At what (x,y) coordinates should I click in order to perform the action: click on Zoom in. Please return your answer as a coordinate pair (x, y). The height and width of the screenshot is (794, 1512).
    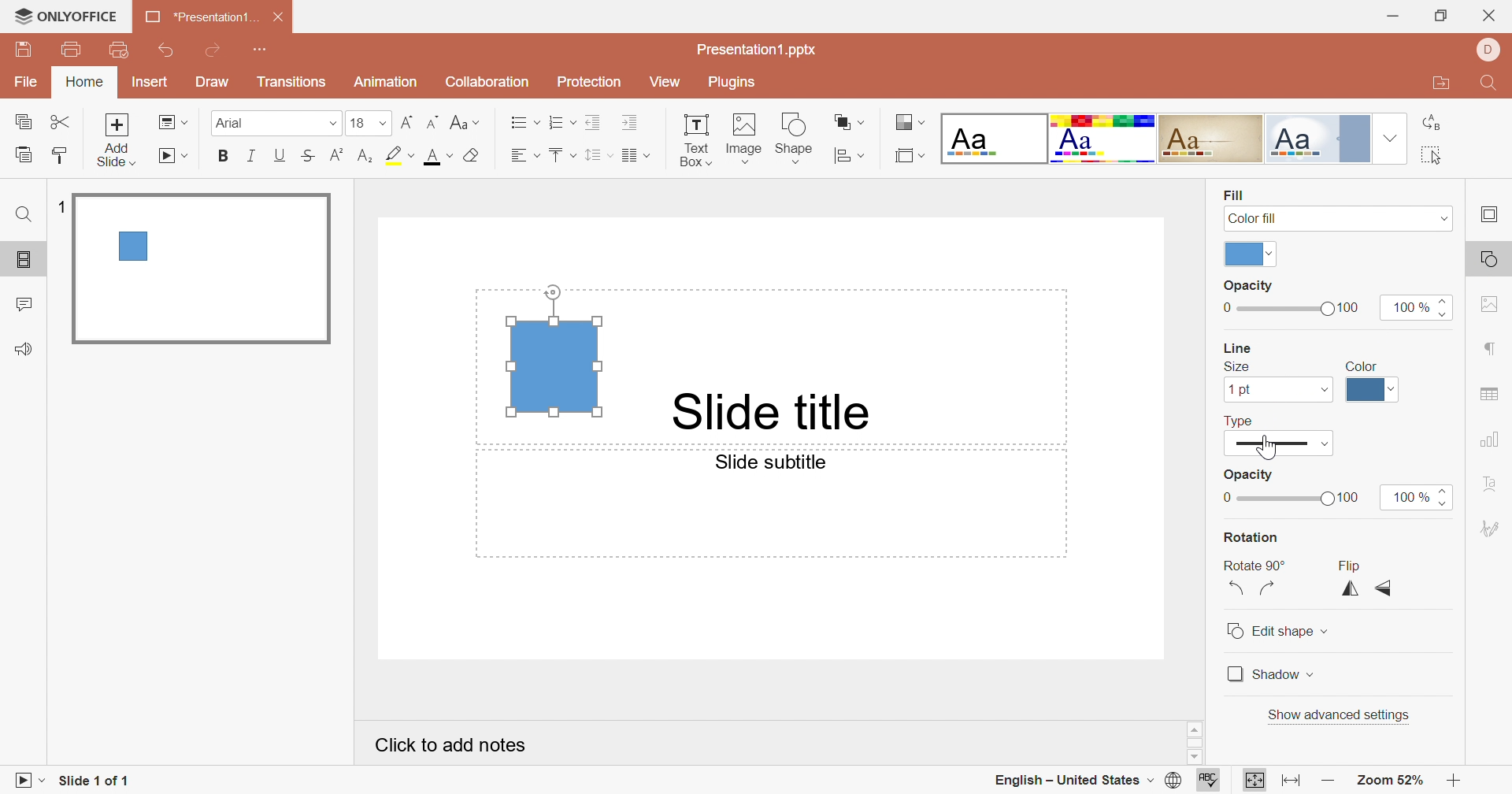
    Looking at the image, I should click on (1453, 779).